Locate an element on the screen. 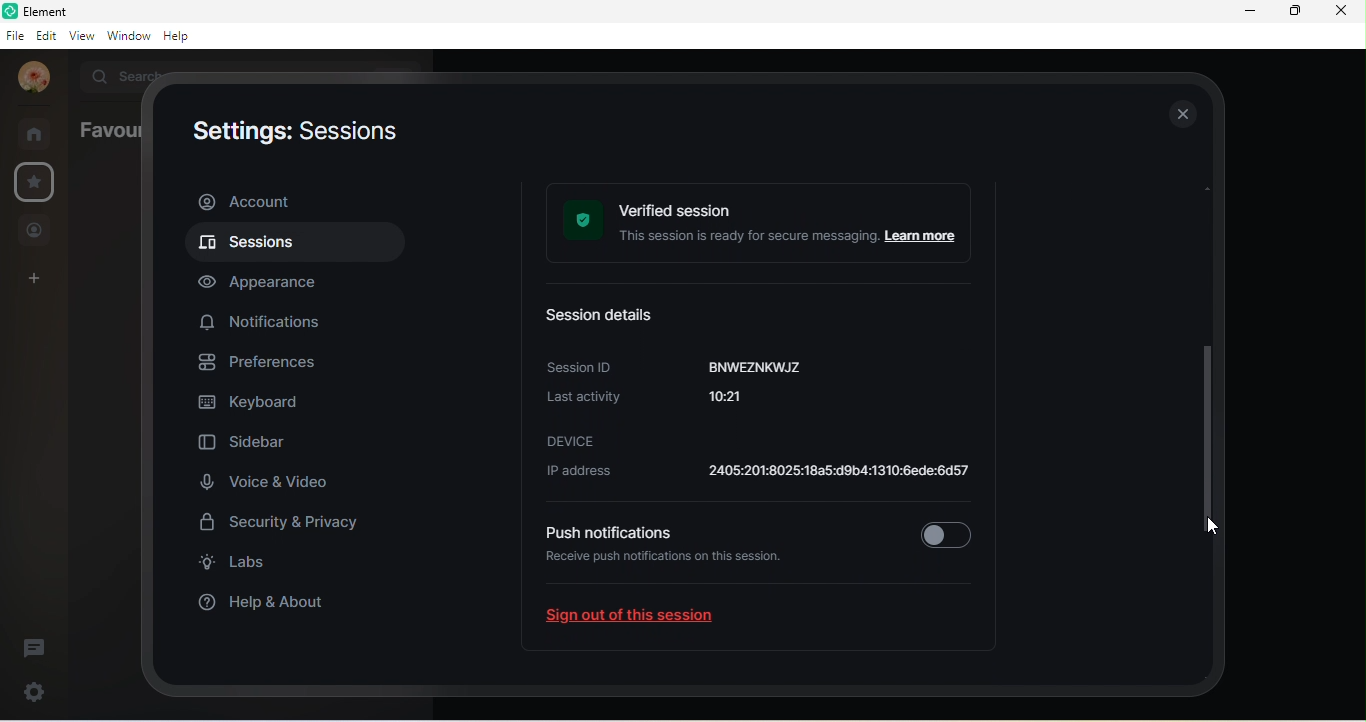 The height and width of the screenshot is (722, 1366). preferences is located at coordinates (267, 364).